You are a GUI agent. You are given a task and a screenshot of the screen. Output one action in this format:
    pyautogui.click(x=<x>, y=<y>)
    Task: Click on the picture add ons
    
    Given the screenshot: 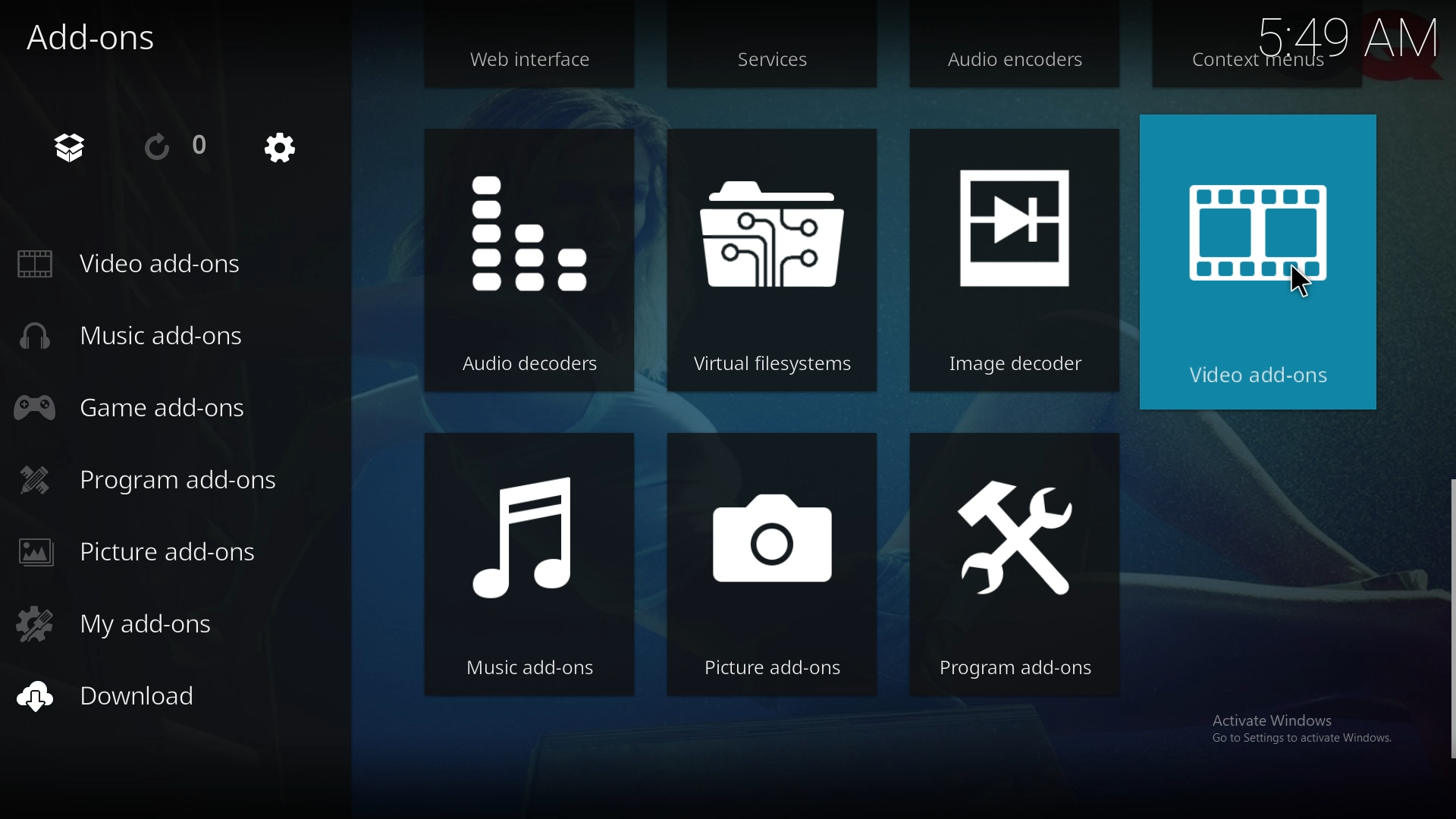 What is the action you would take?
    pyautogui.click(x=150, y=552)
    